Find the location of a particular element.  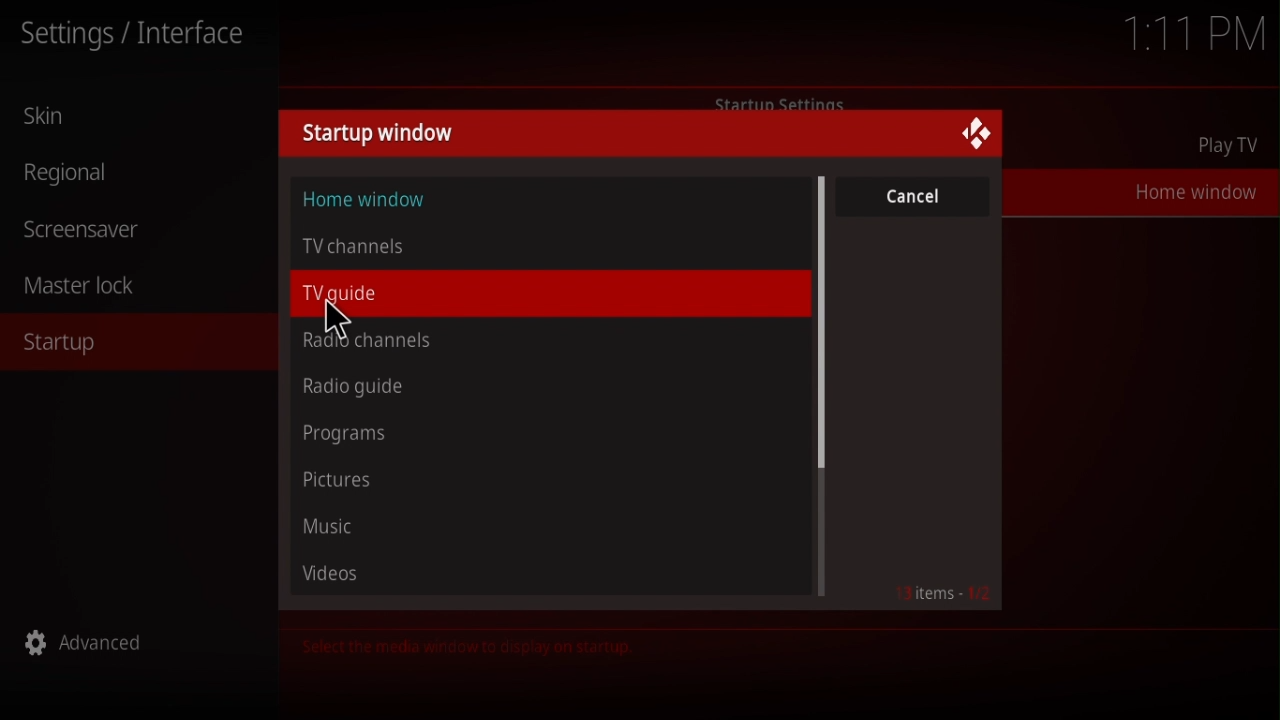

skin is located at coordinates (55, 117).